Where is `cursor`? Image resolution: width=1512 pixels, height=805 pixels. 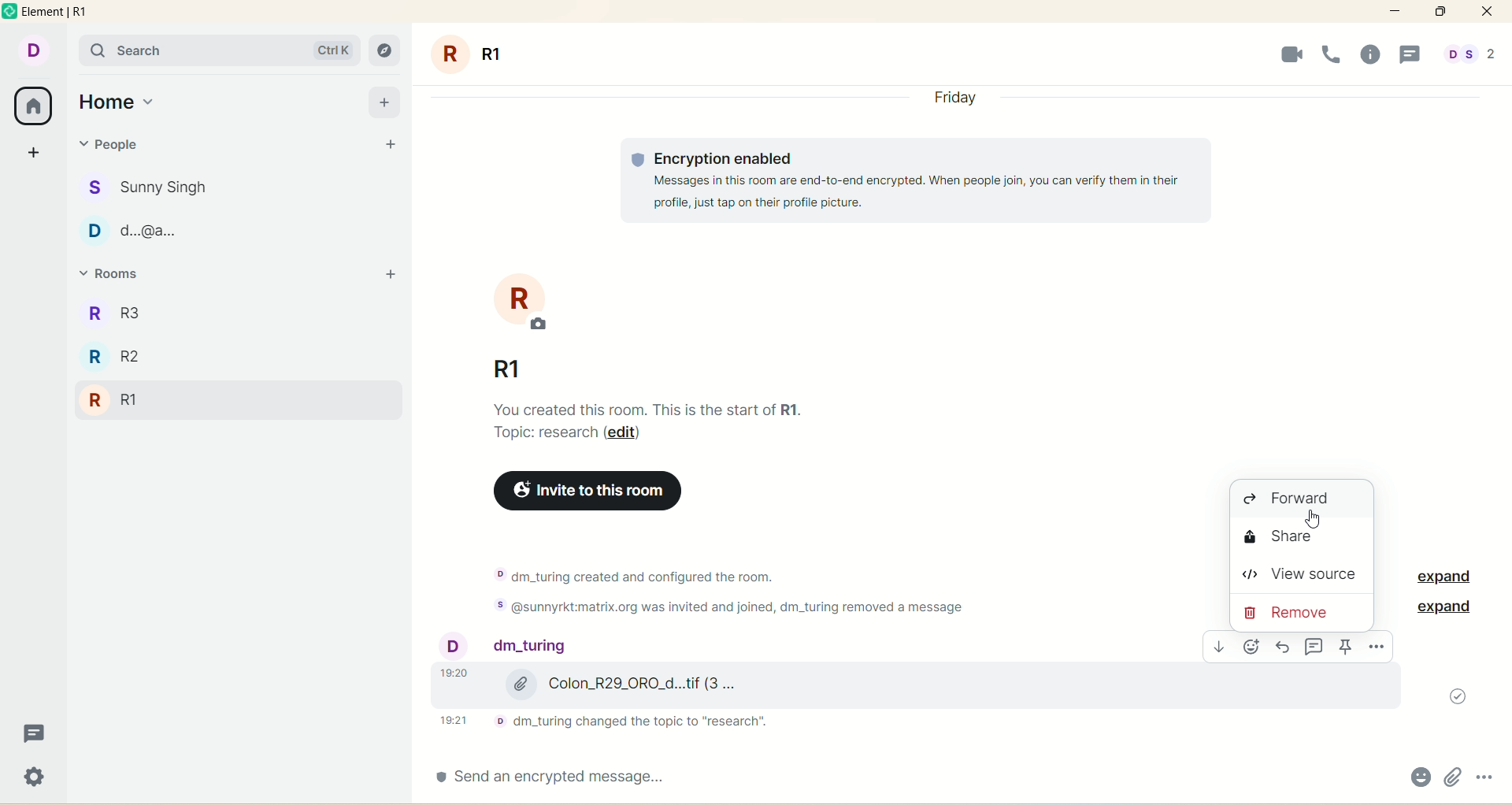
cursor is located at coordinates (1314, 521).